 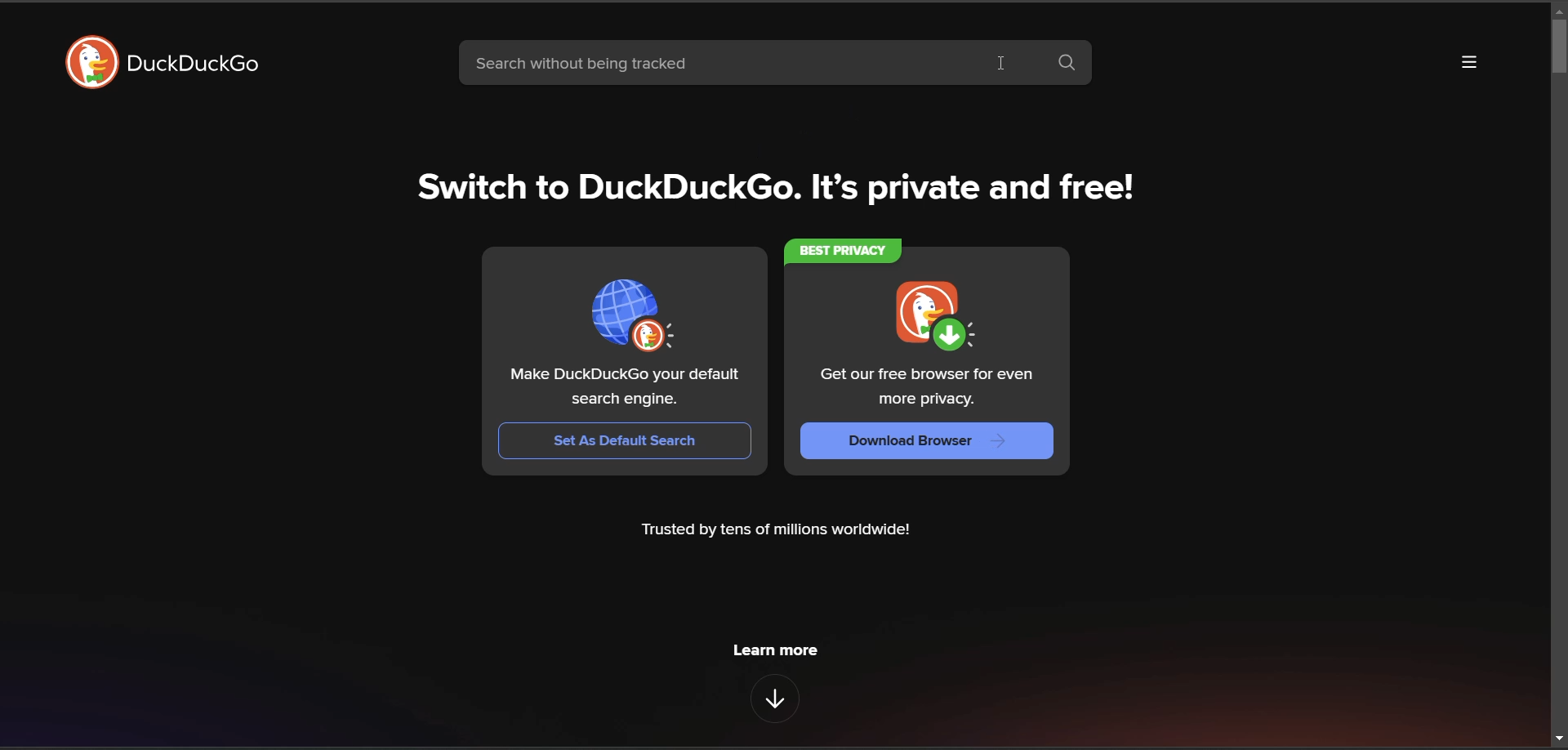 What do you see at coordinates (171, 65) in the screenshot?
I see `logo and title` at bounding box center [171, 65].